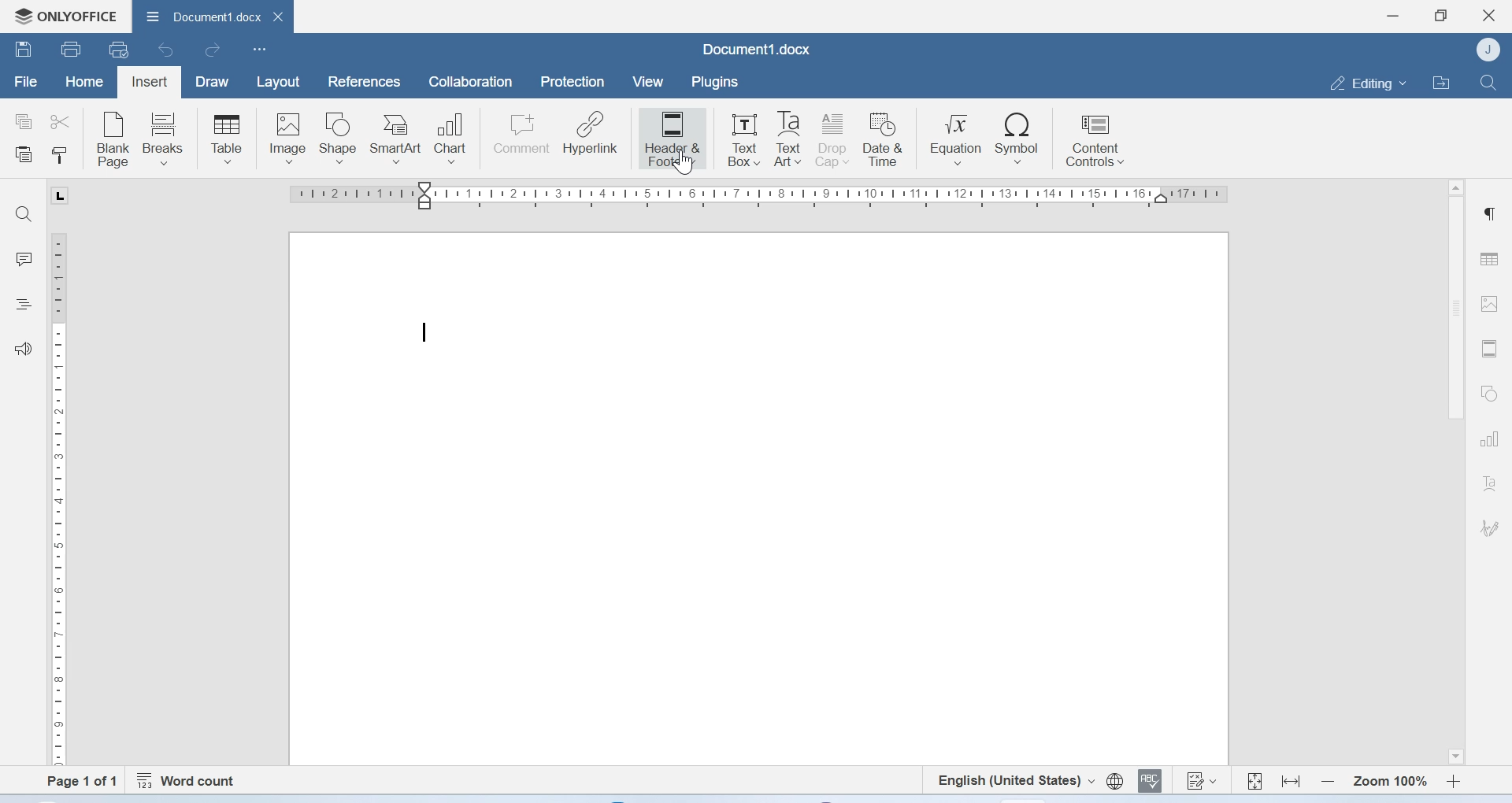 The width and height of the screenshot is (1512, 803). What do you see at coordinates (1114, 782) in the screenshot?
I see `Set document language` at bounding box center [1114, 782].